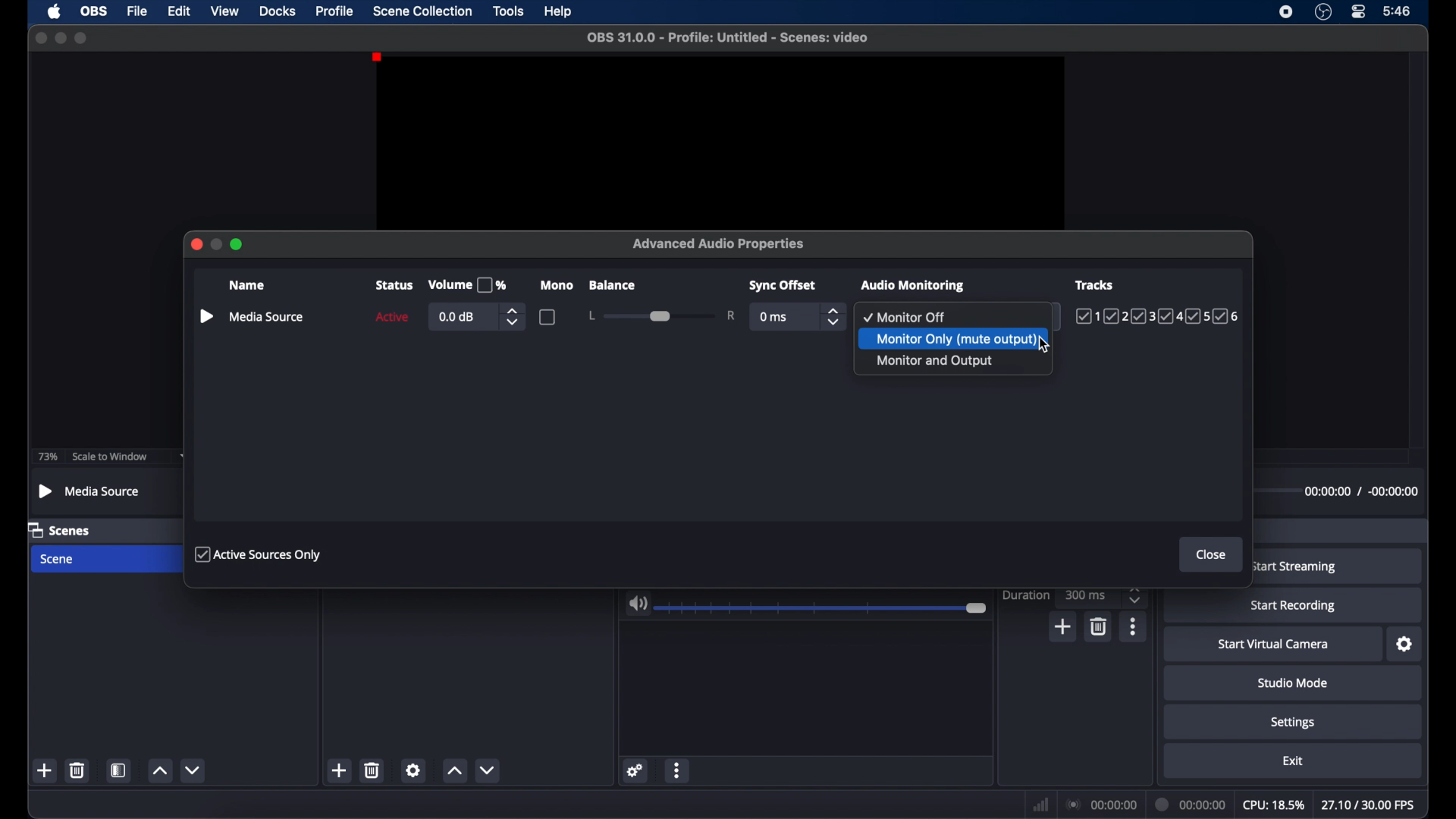 The image size is (1456, 819). Describe the element at coordinates (178, 11) in the screenshot. I see `edit` at that location.